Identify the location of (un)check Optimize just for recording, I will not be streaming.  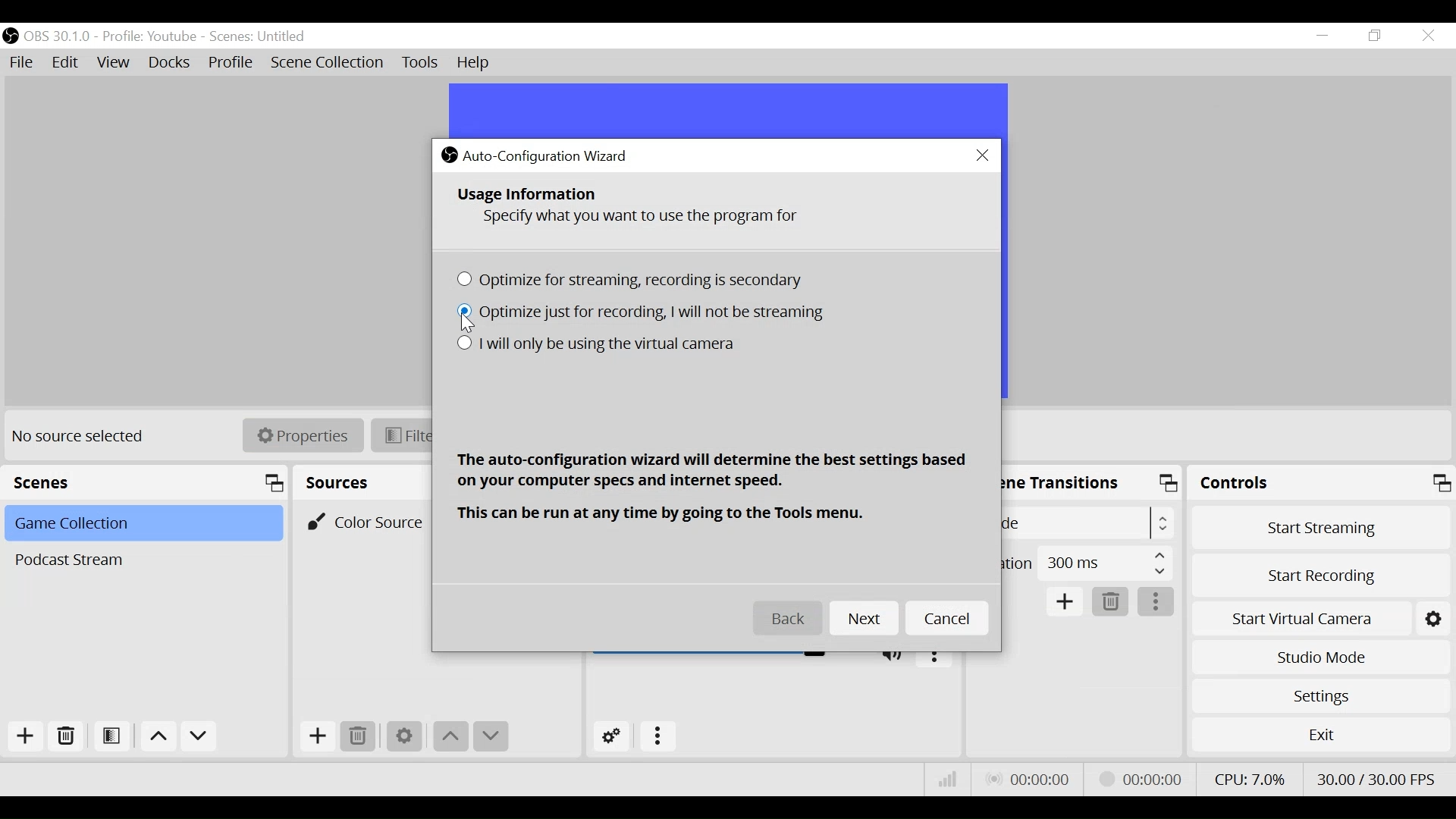
(640, 315).